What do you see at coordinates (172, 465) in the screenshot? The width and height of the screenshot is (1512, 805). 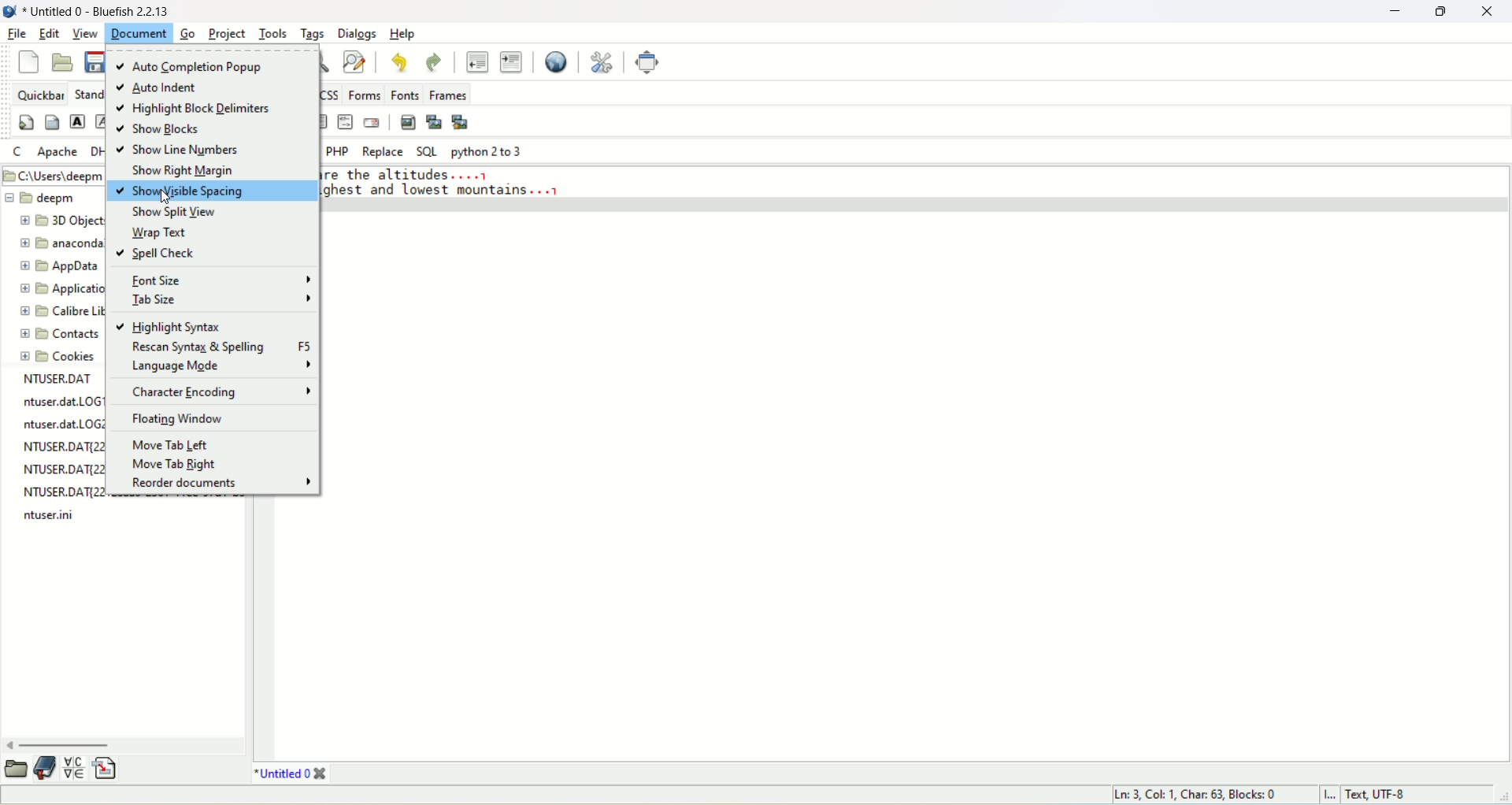 I see `move tab right` at bounding box center [172, 465].